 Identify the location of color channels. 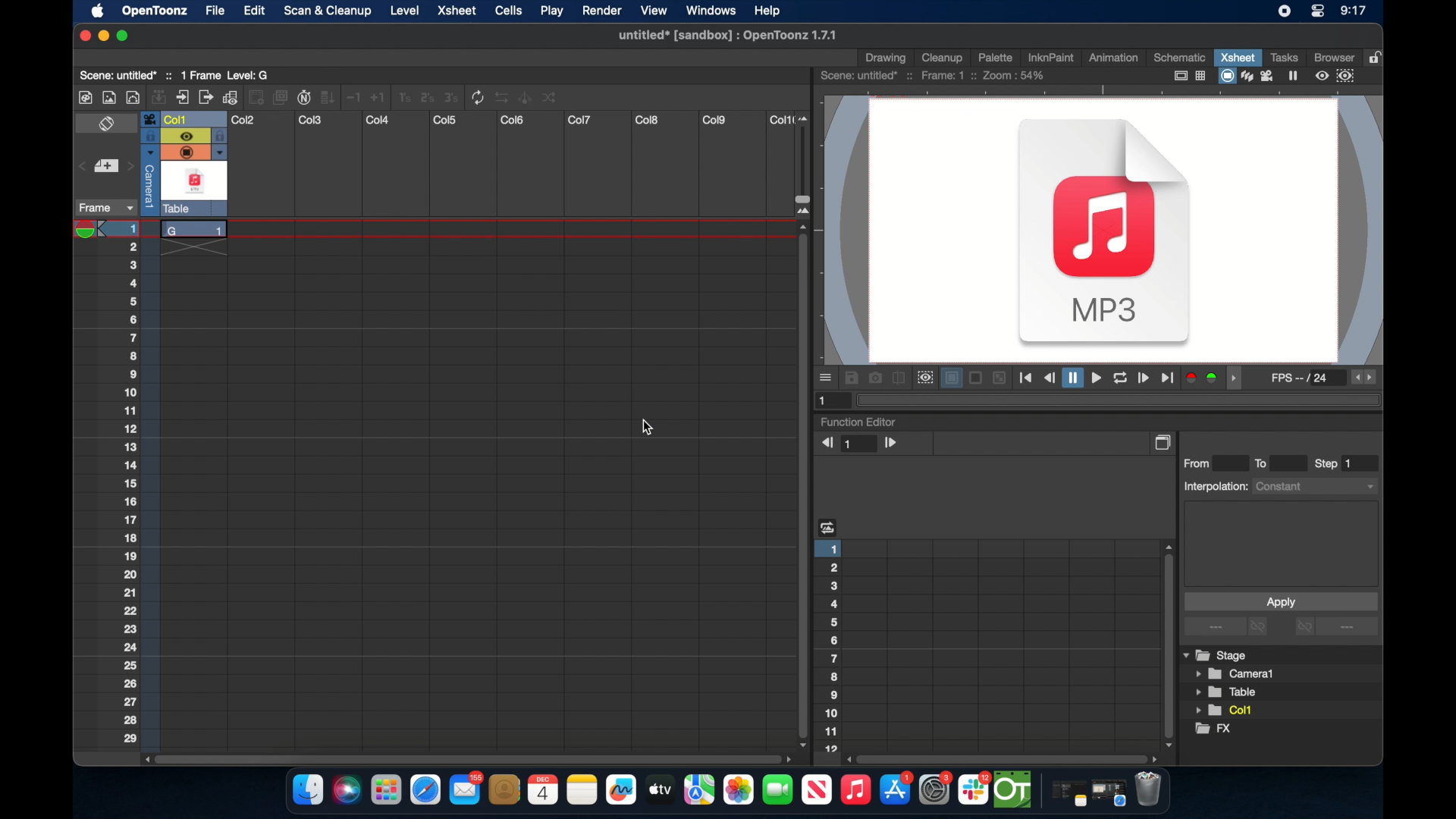
(1203, 377).